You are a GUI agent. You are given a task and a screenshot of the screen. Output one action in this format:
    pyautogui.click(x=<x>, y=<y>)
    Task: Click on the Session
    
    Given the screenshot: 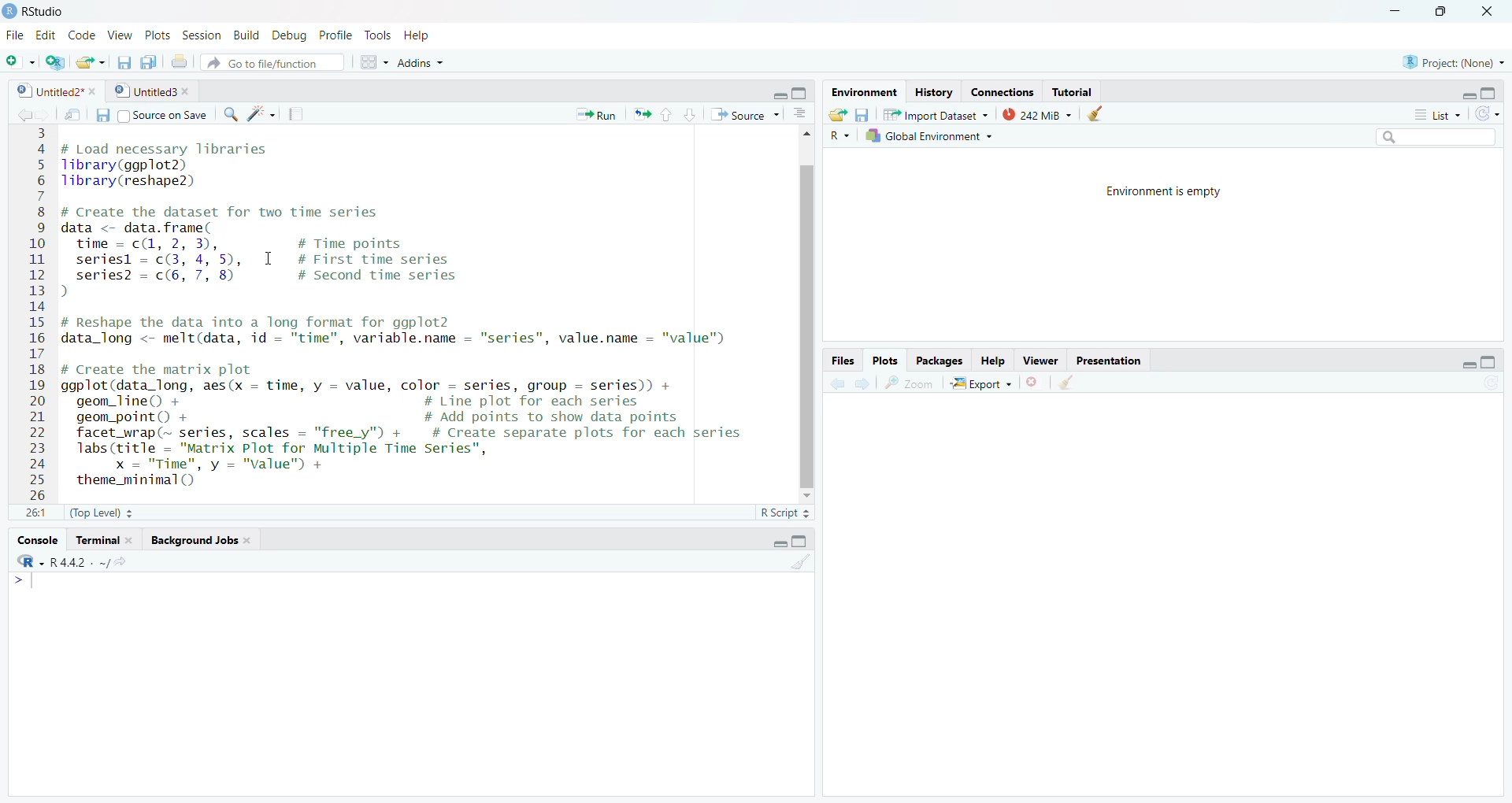 What is the action you would take?
    pyautogui.click(x=201, y=35)
    